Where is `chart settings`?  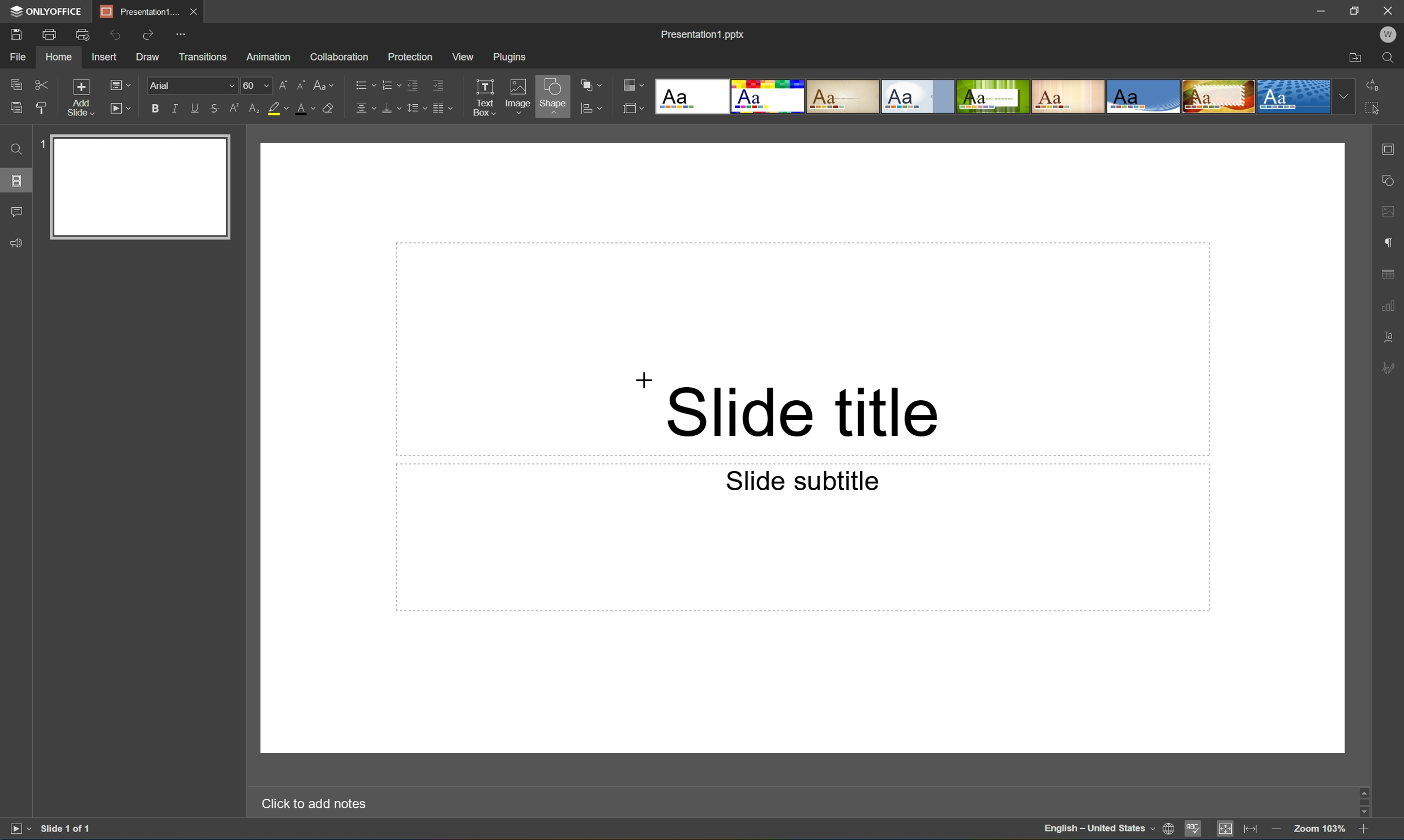
chart settings is located at coordinates (1390, 307).